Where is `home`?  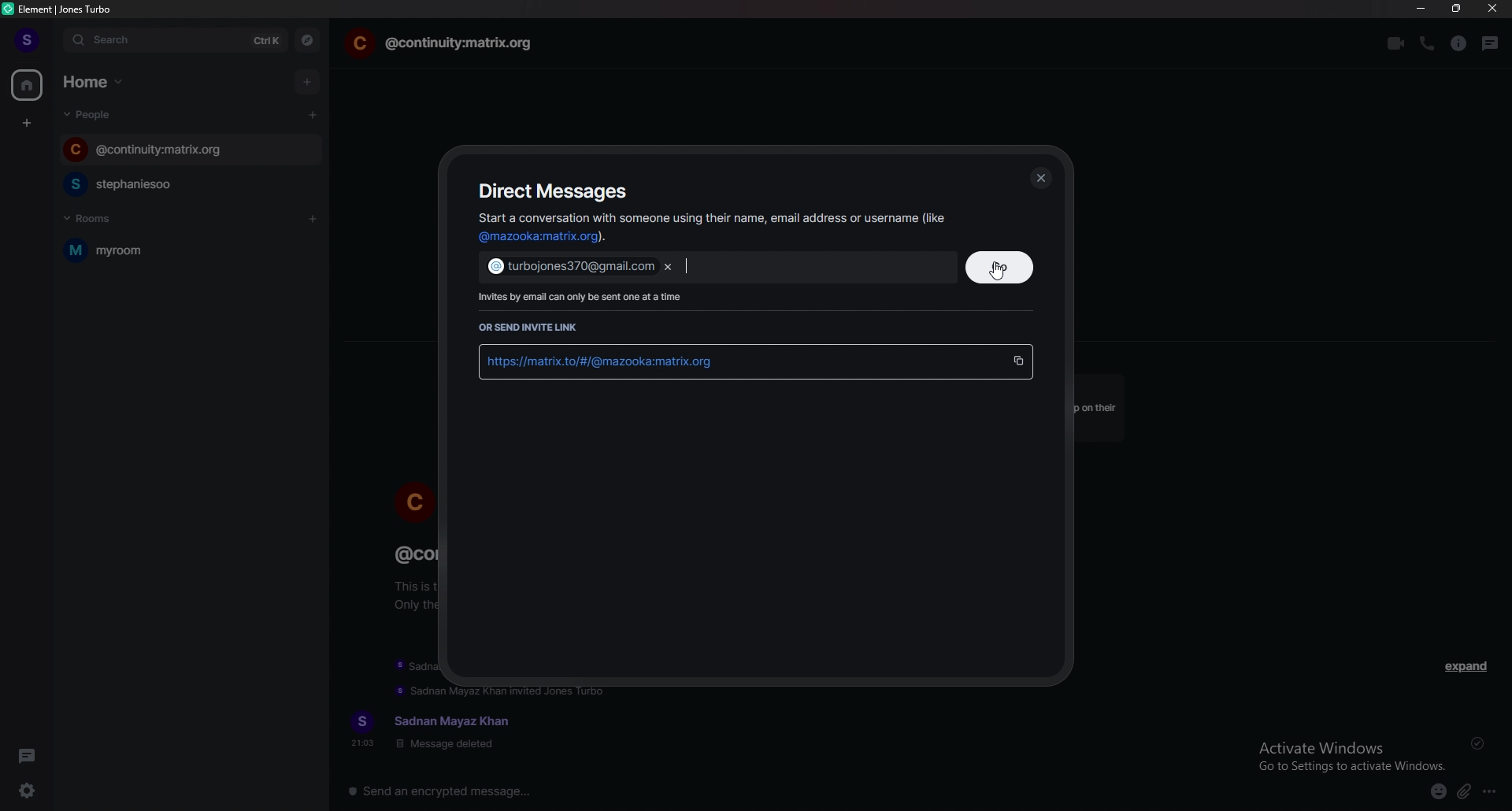 home is located at coordinates (97, 81).